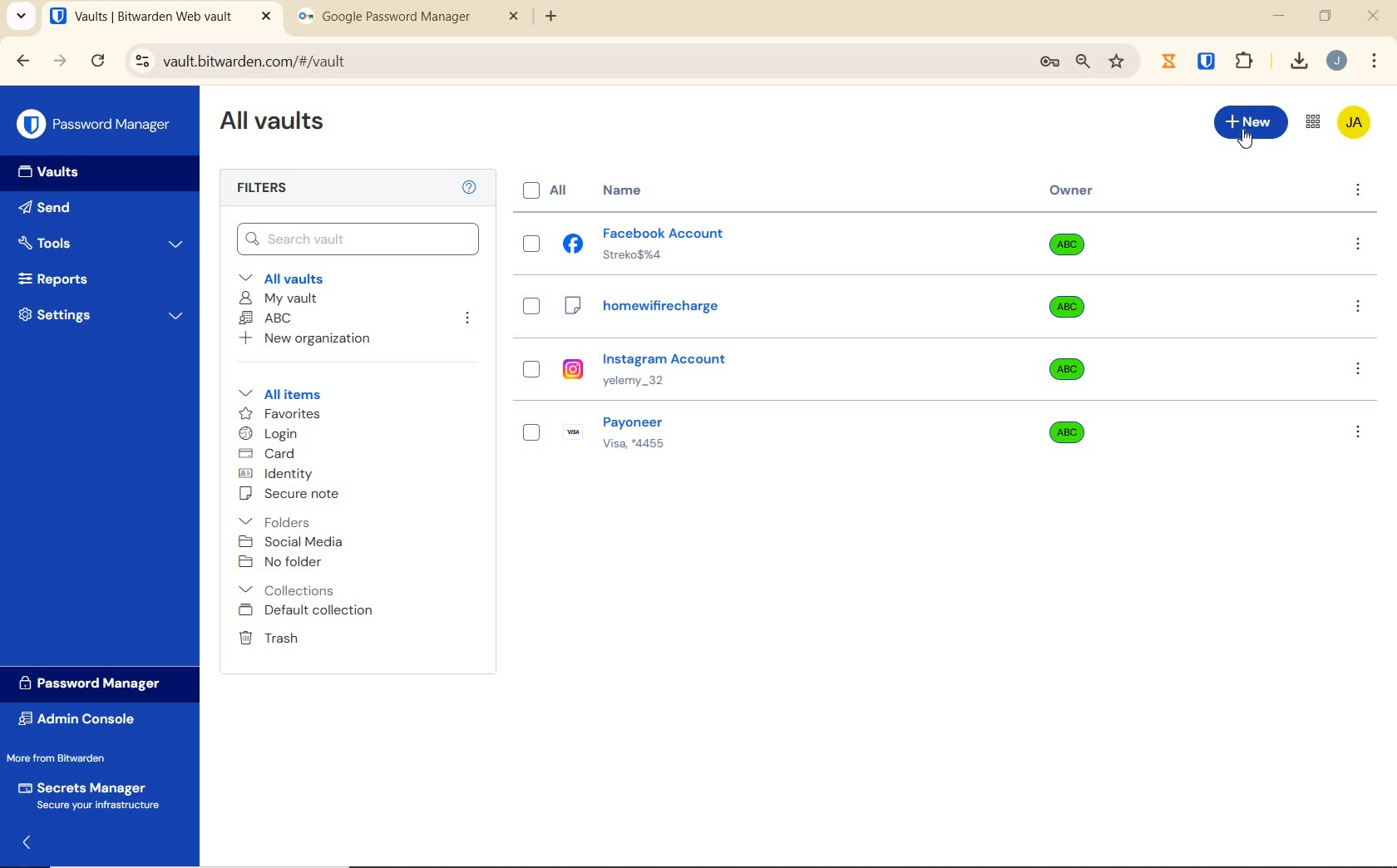 This screenshot has width=1397, height=868. What do you see at coordinates (1073, 369) in the screenshot?
I see `Owner organization` at bounding box center [1073, 369].